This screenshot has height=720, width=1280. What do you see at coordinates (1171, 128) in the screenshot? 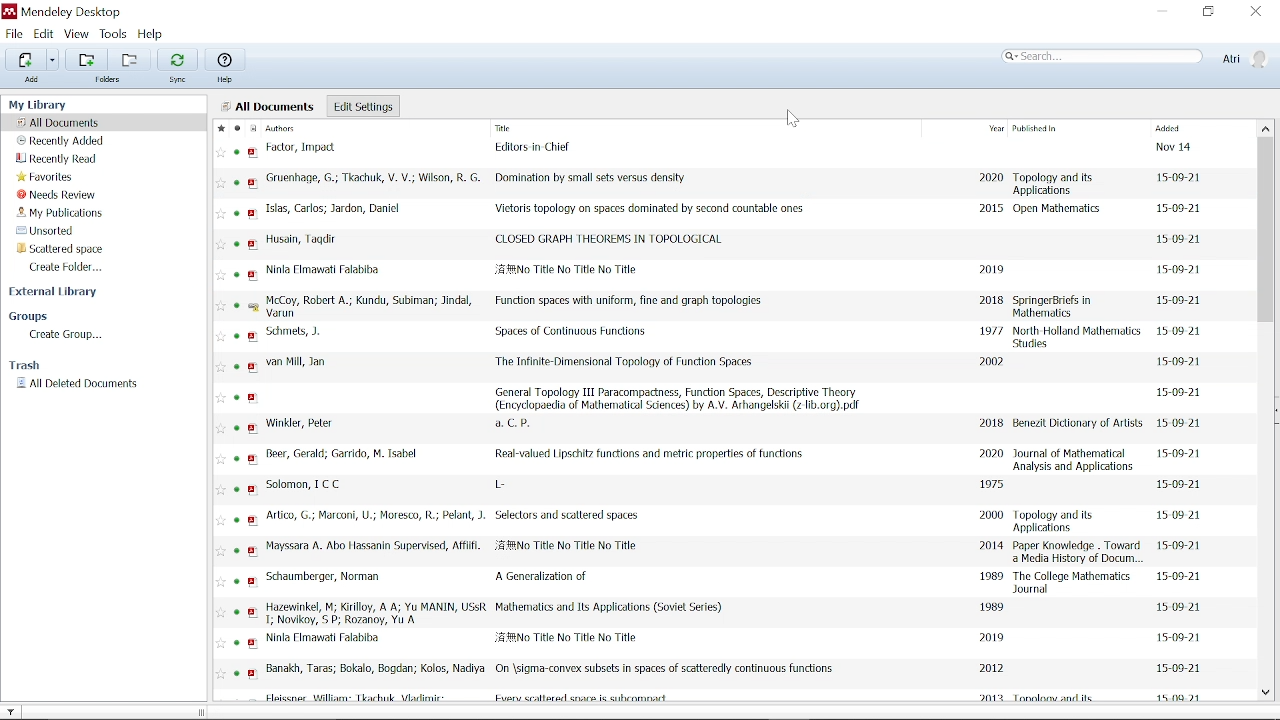
I see `Added` at bounding box center [1171, 128].